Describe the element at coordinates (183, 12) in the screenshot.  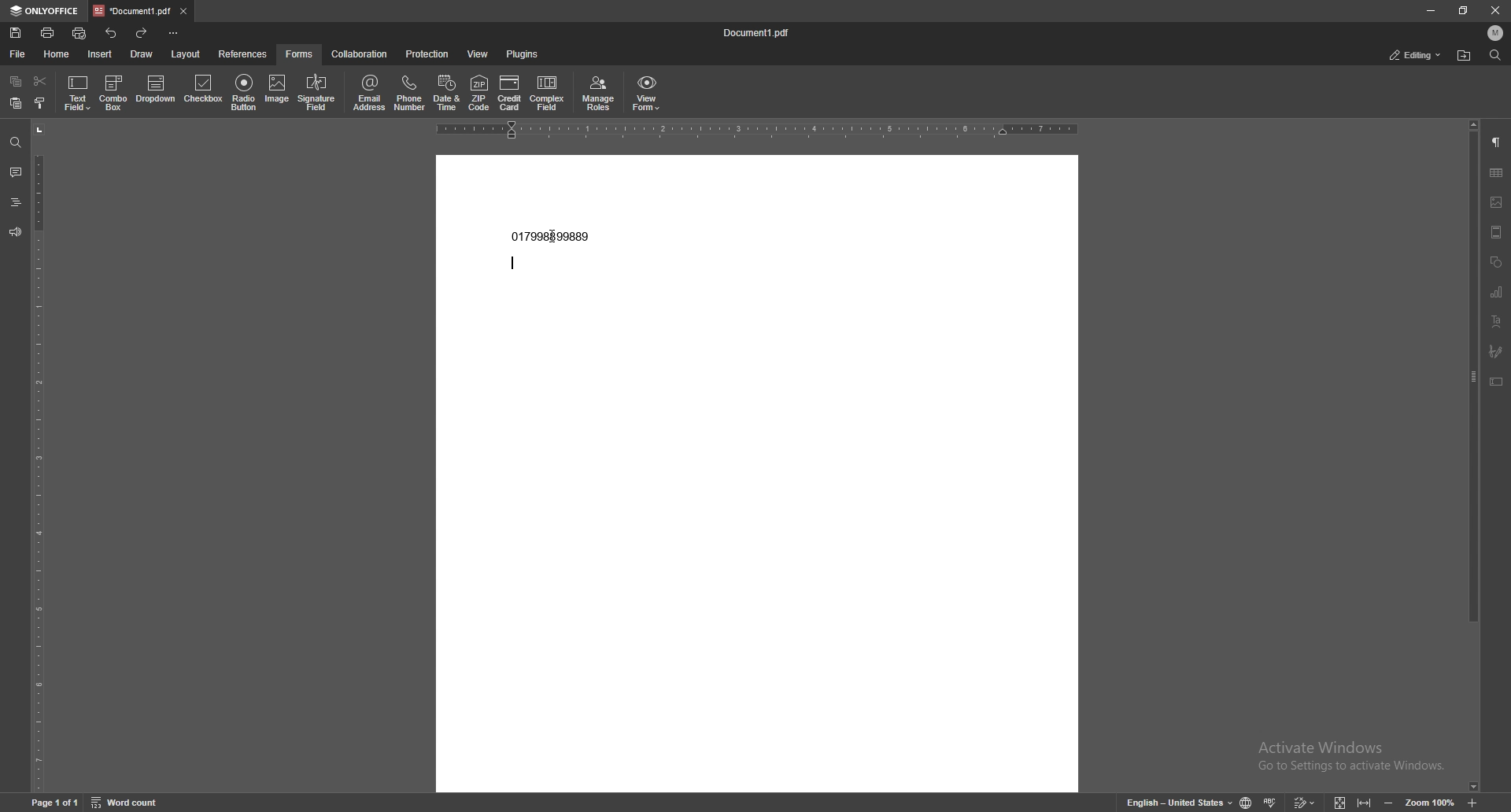
I see `close` at that location.